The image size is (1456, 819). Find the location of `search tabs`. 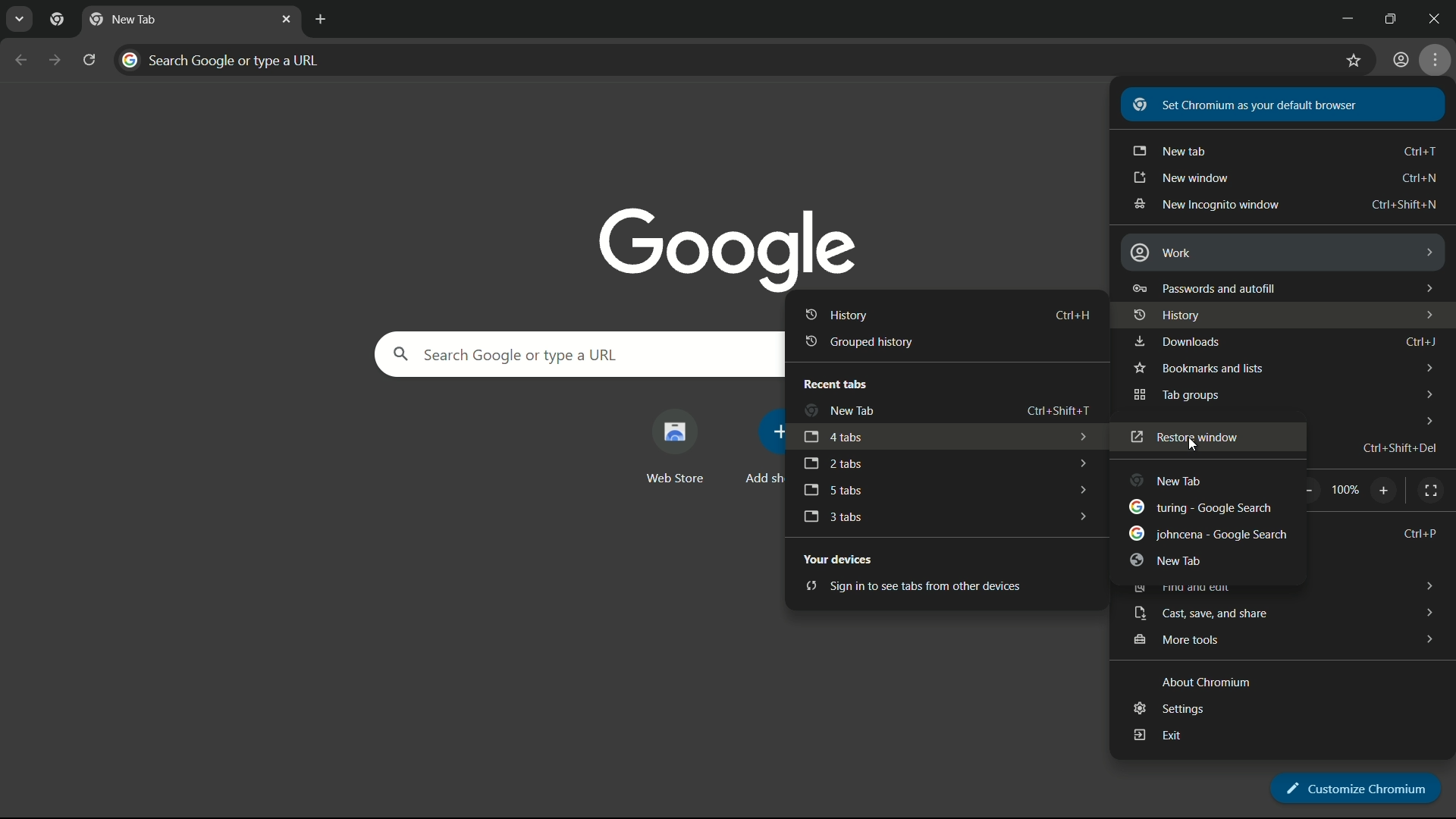

search tabs is located at coordinates (21, 19).